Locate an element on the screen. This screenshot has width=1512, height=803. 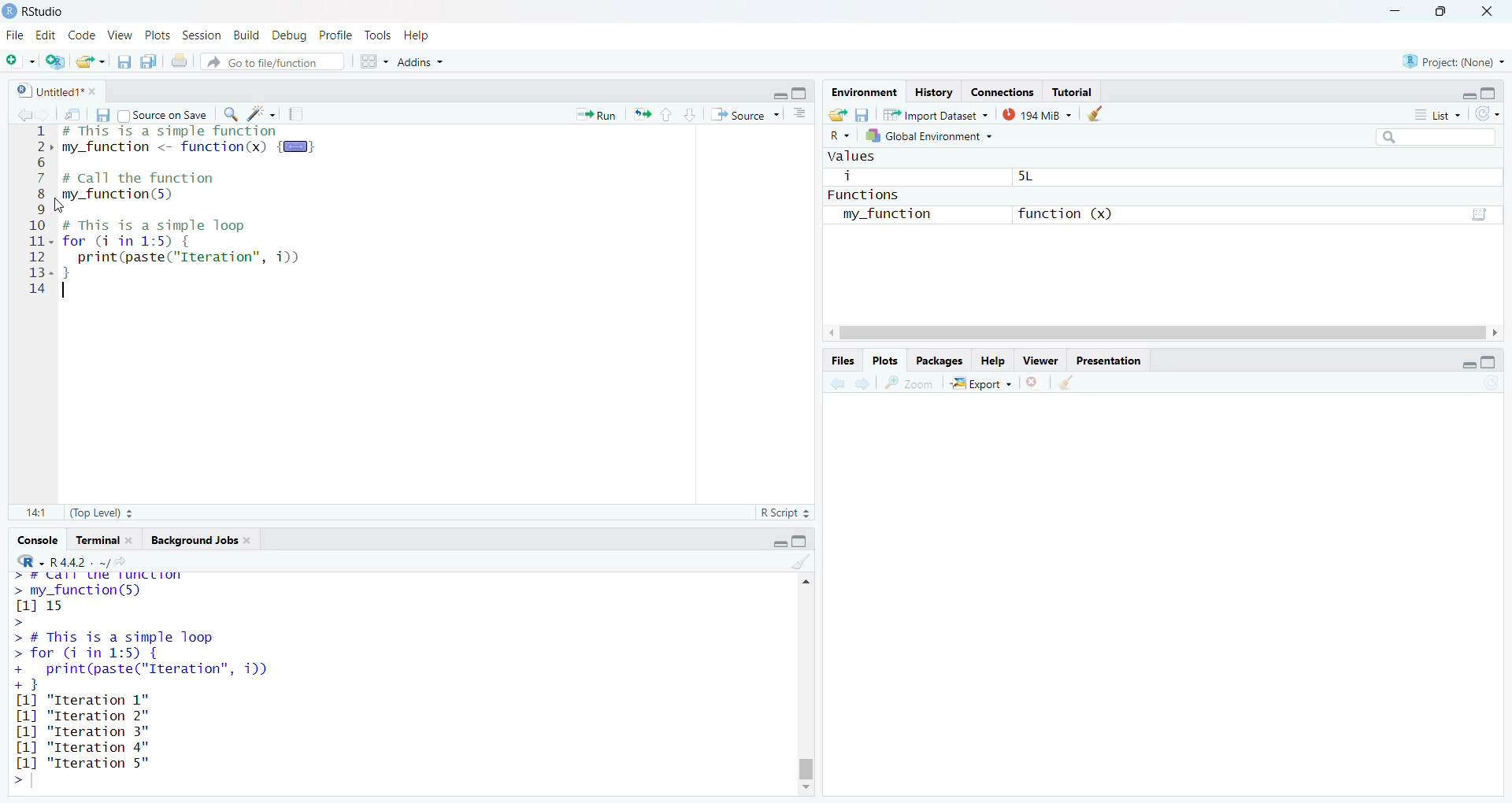
search field is located at coordinates (1432, 136).